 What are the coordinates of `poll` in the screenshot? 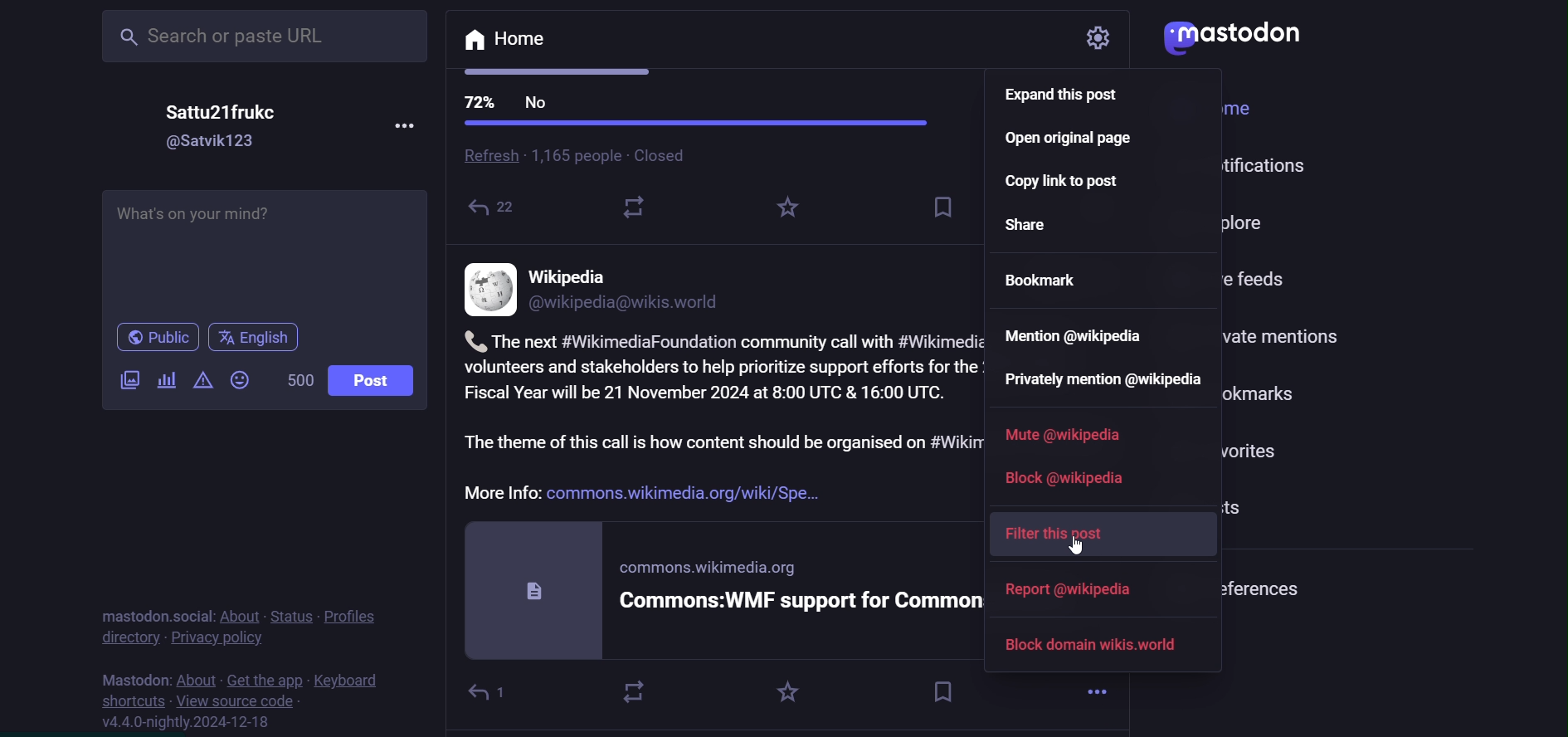 It's located at (164, 383).